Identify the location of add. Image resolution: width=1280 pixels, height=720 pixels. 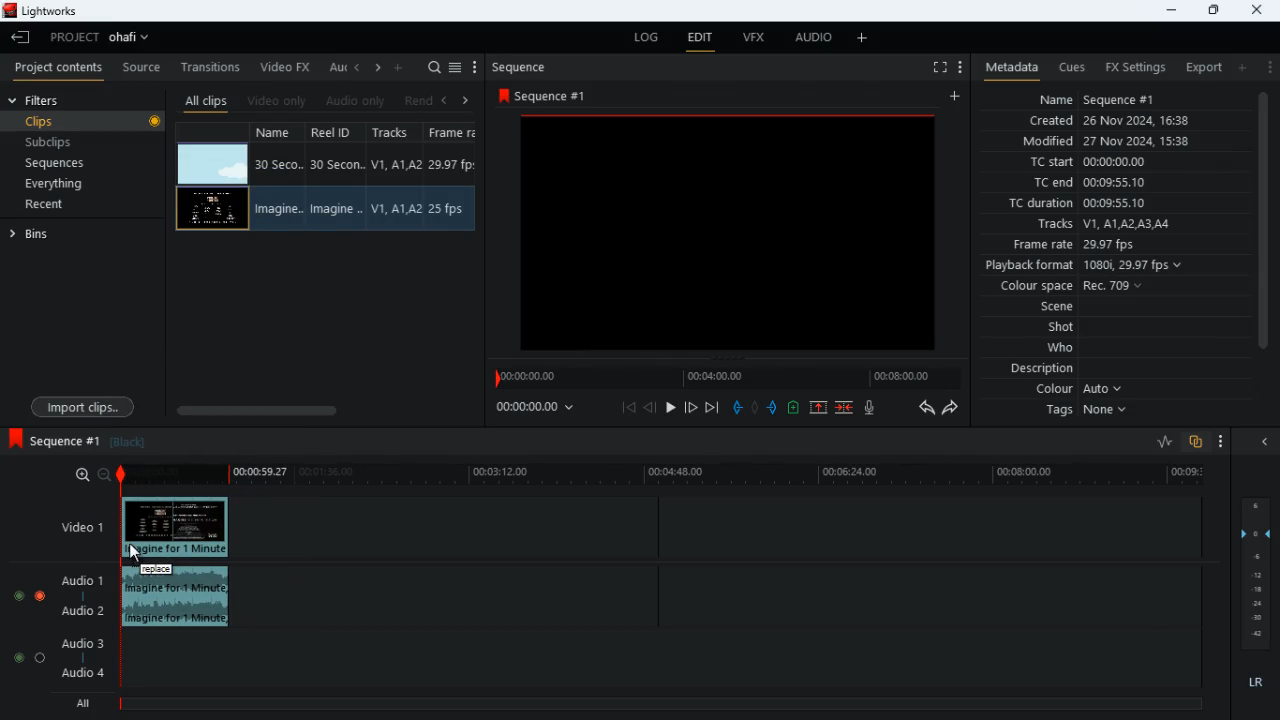
(960, 96).